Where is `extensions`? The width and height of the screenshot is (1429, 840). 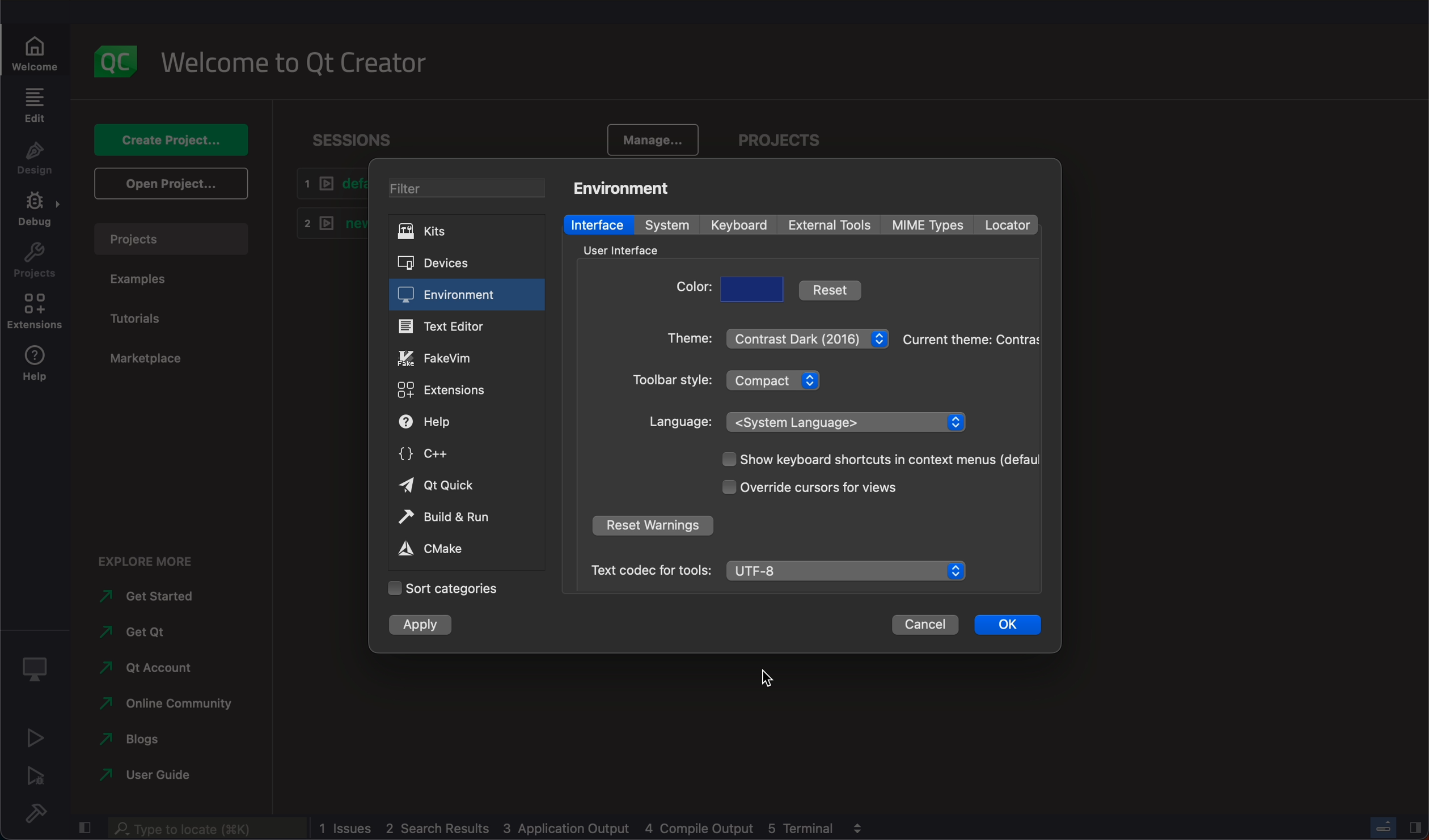 extensions is located at coordinates (38, 315).